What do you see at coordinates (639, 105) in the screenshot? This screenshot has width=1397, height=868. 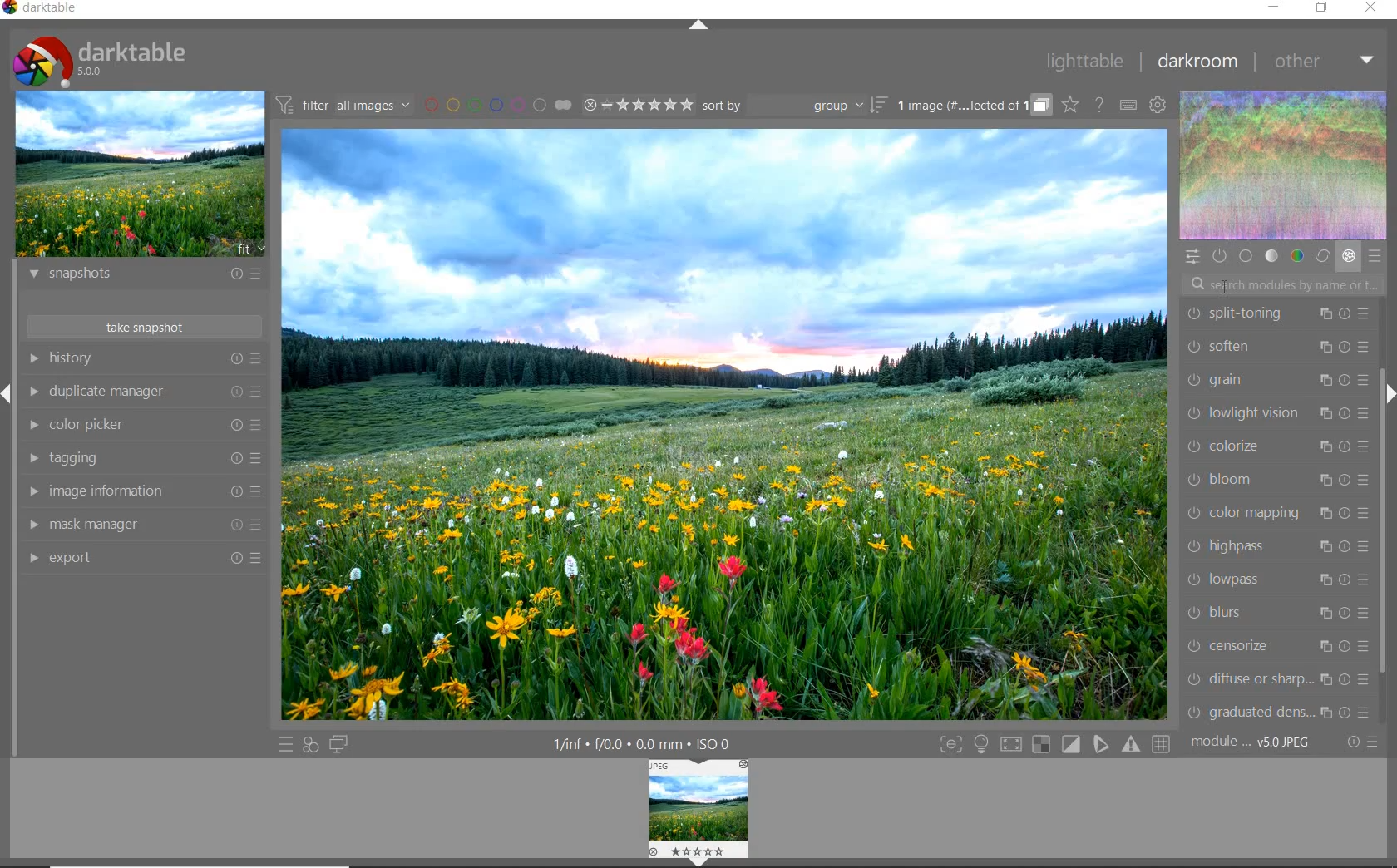 I see `range ratings for selected images` at bounding box center [639, 105].